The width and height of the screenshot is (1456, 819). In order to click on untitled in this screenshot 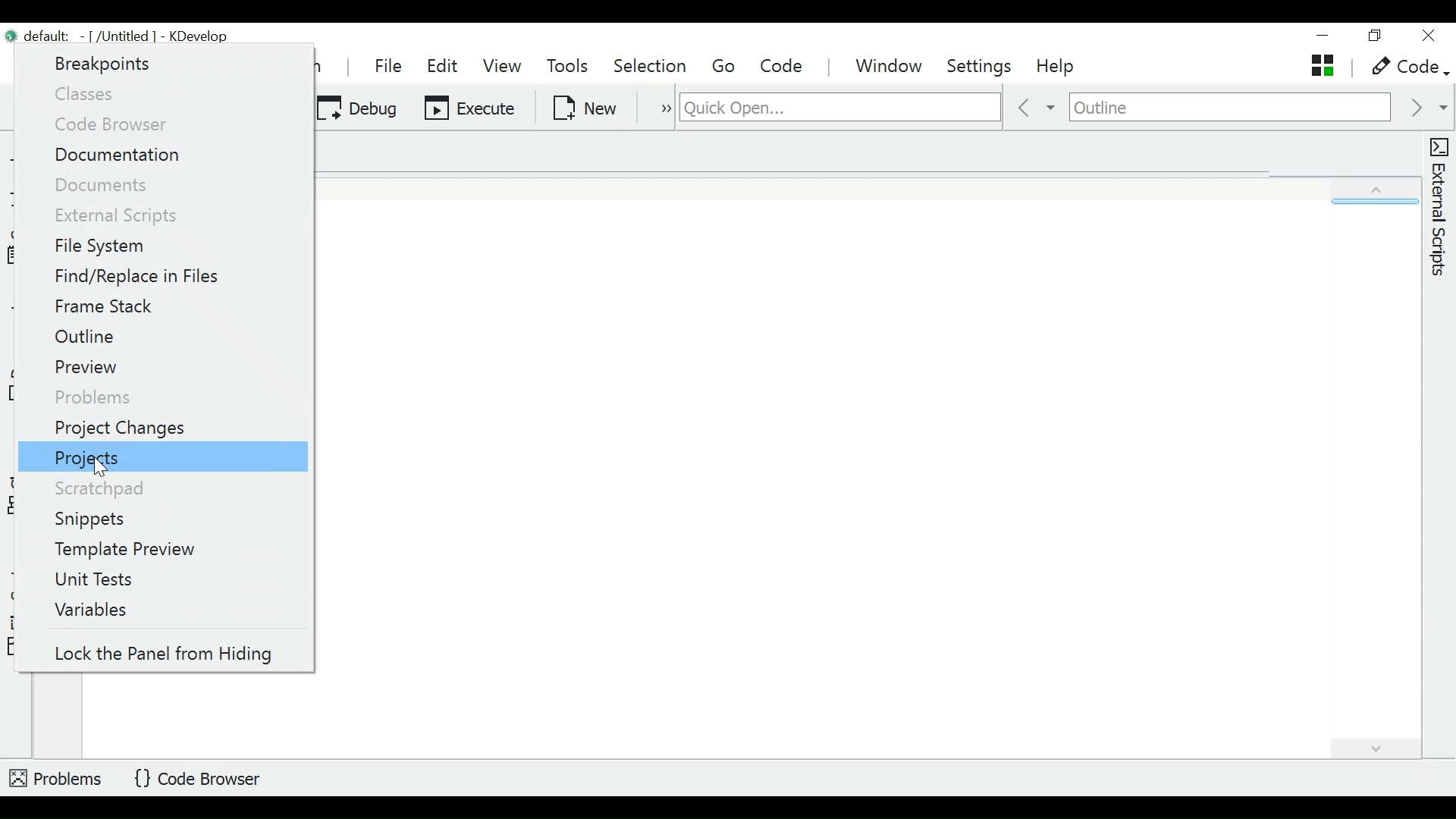, I will do `click(1323, 65)`.